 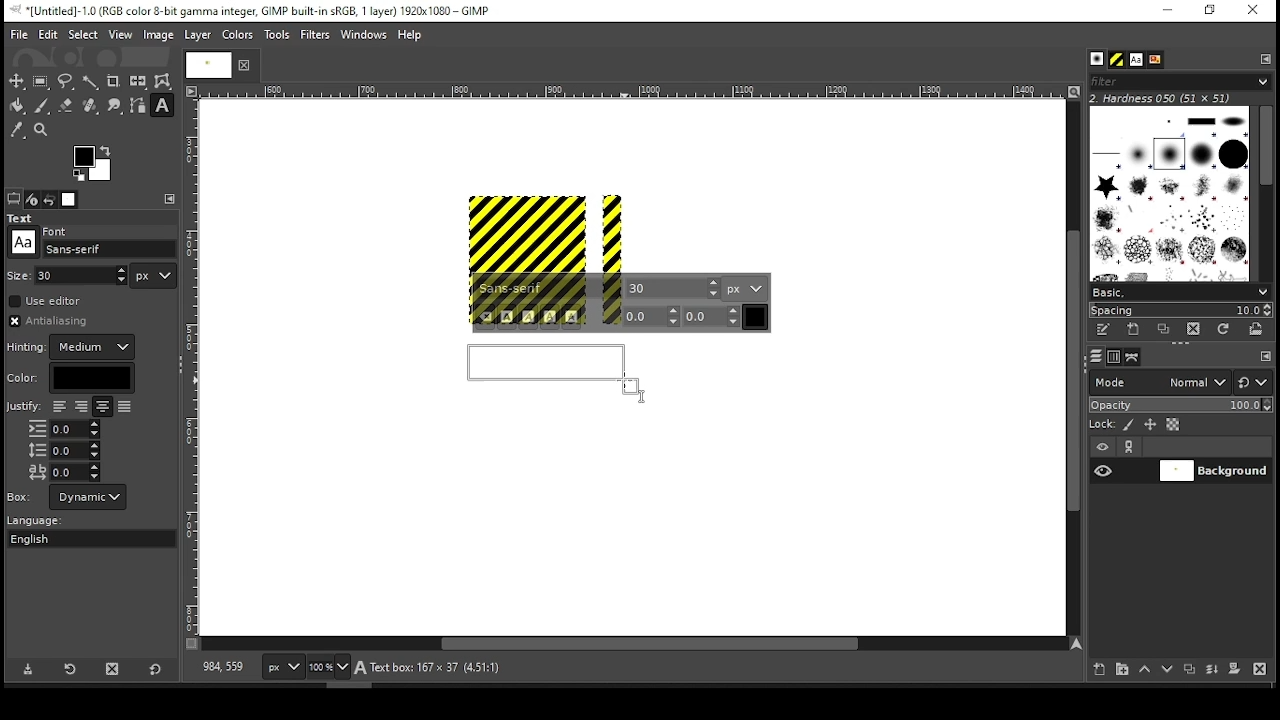 What do you see at coordinates (1265, 192) in the screenshot?
I see `scroll bar` at bounding box center [1265, 192].